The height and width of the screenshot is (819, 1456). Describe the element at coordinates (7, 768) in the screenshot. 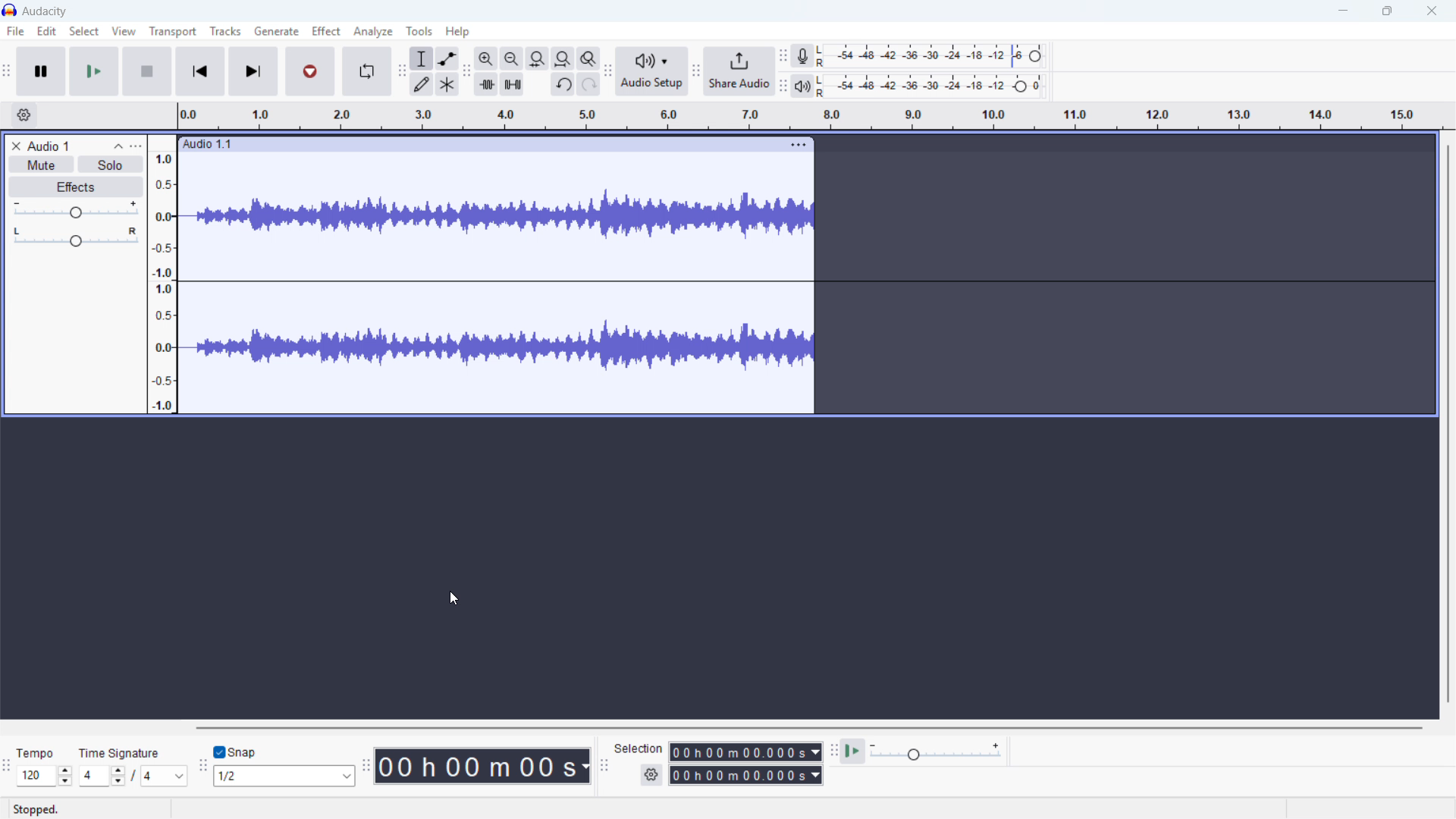

I see `Time signature toolbar ` at that location.